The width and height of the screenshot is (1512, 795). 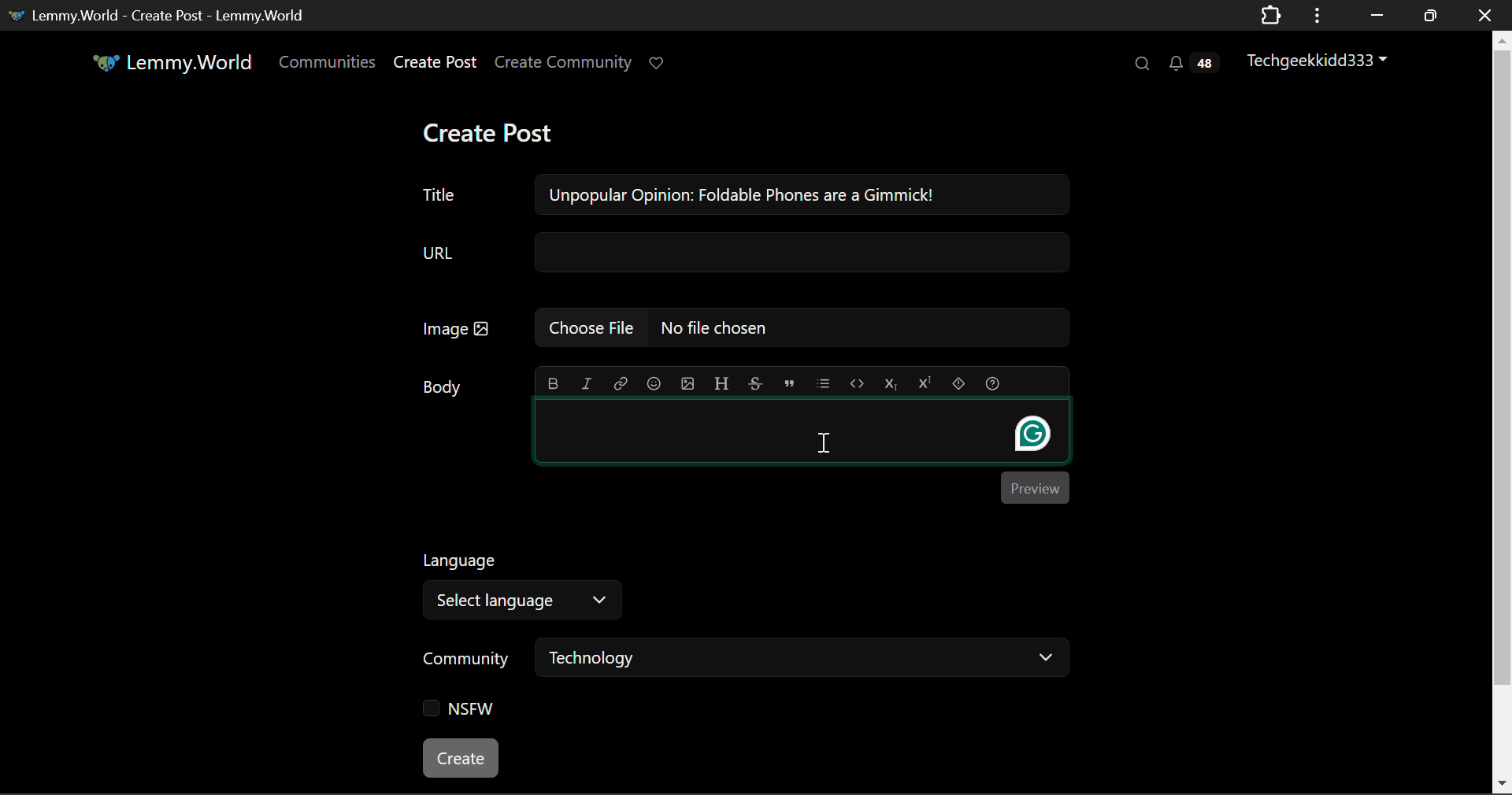 I want to click on Create Post Button, so click(x=462, y=758).